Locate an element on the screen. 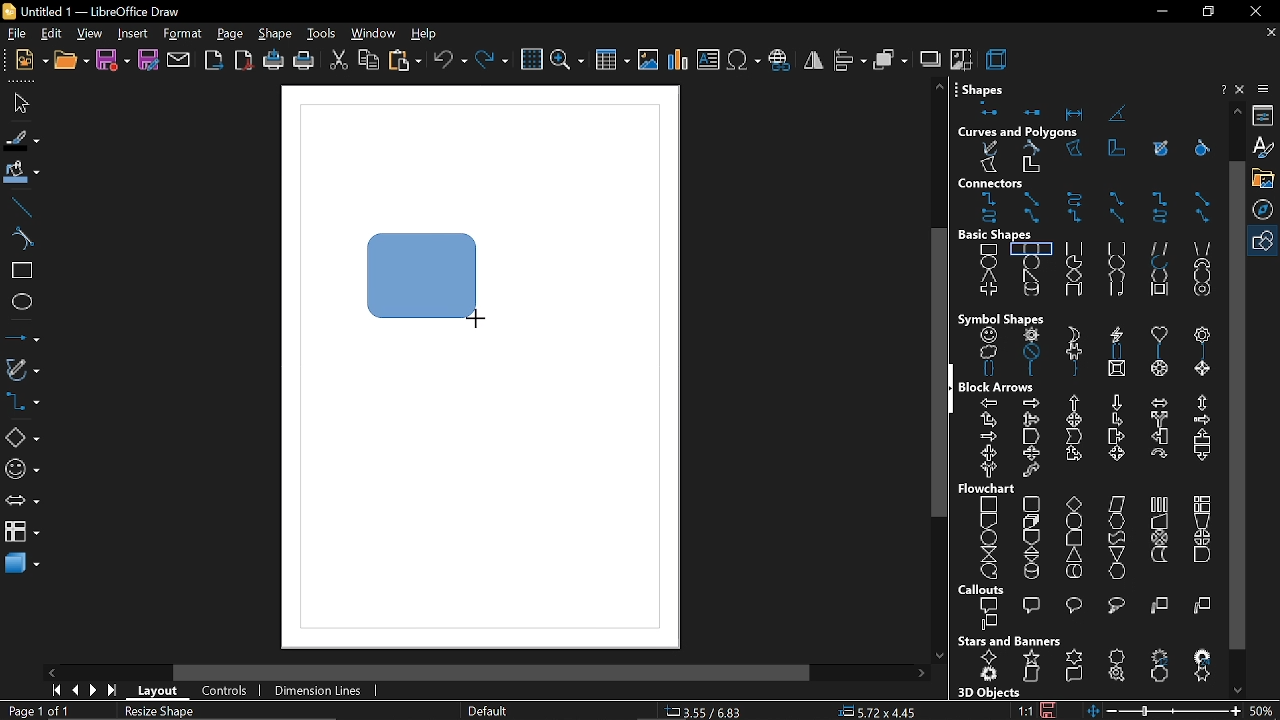  shape is located at coordinates (417, 274).